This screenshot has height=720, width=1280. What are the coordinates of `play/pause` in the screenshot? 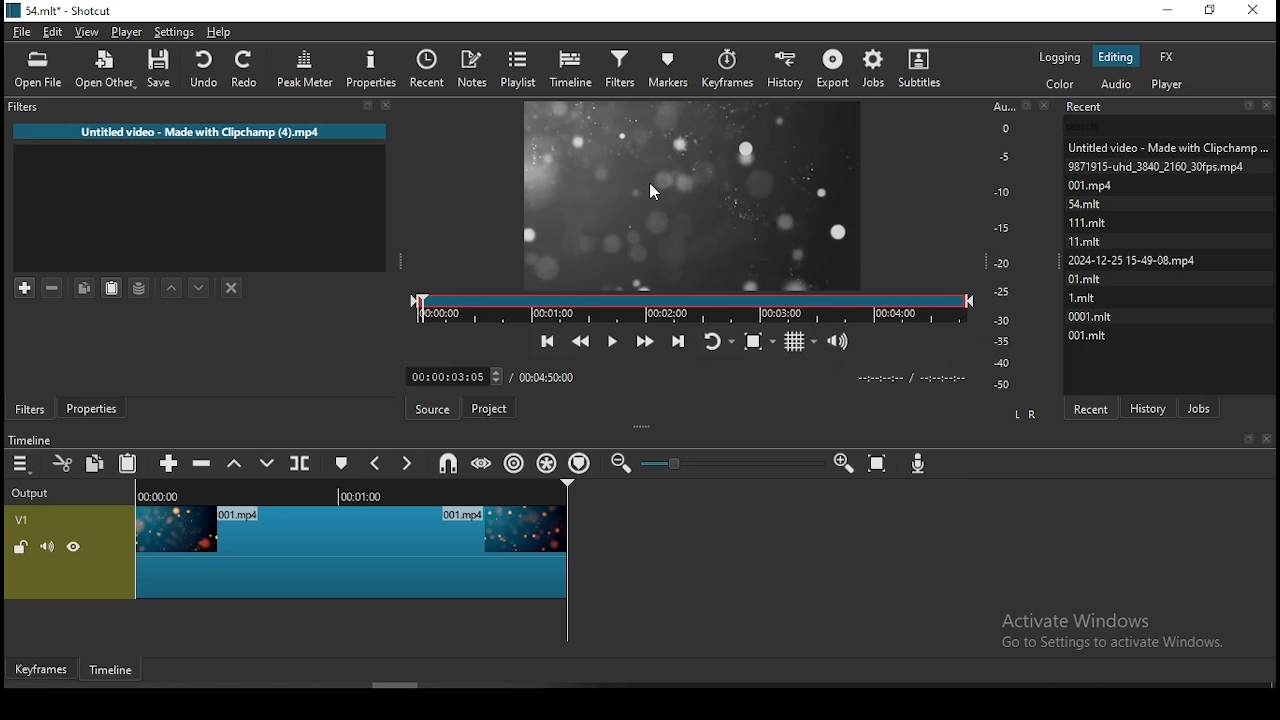 It's located at (613, 339).